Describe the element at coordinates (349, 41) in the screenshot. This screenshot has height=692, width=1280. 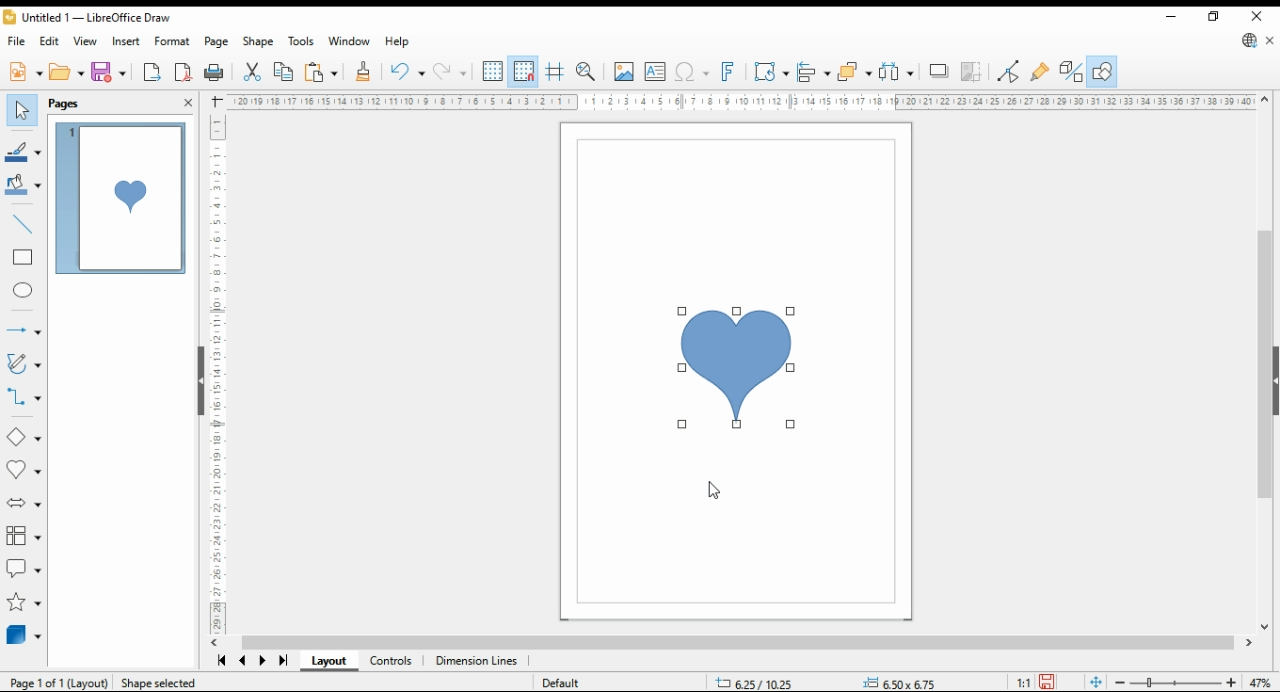
I see `window` at that location.